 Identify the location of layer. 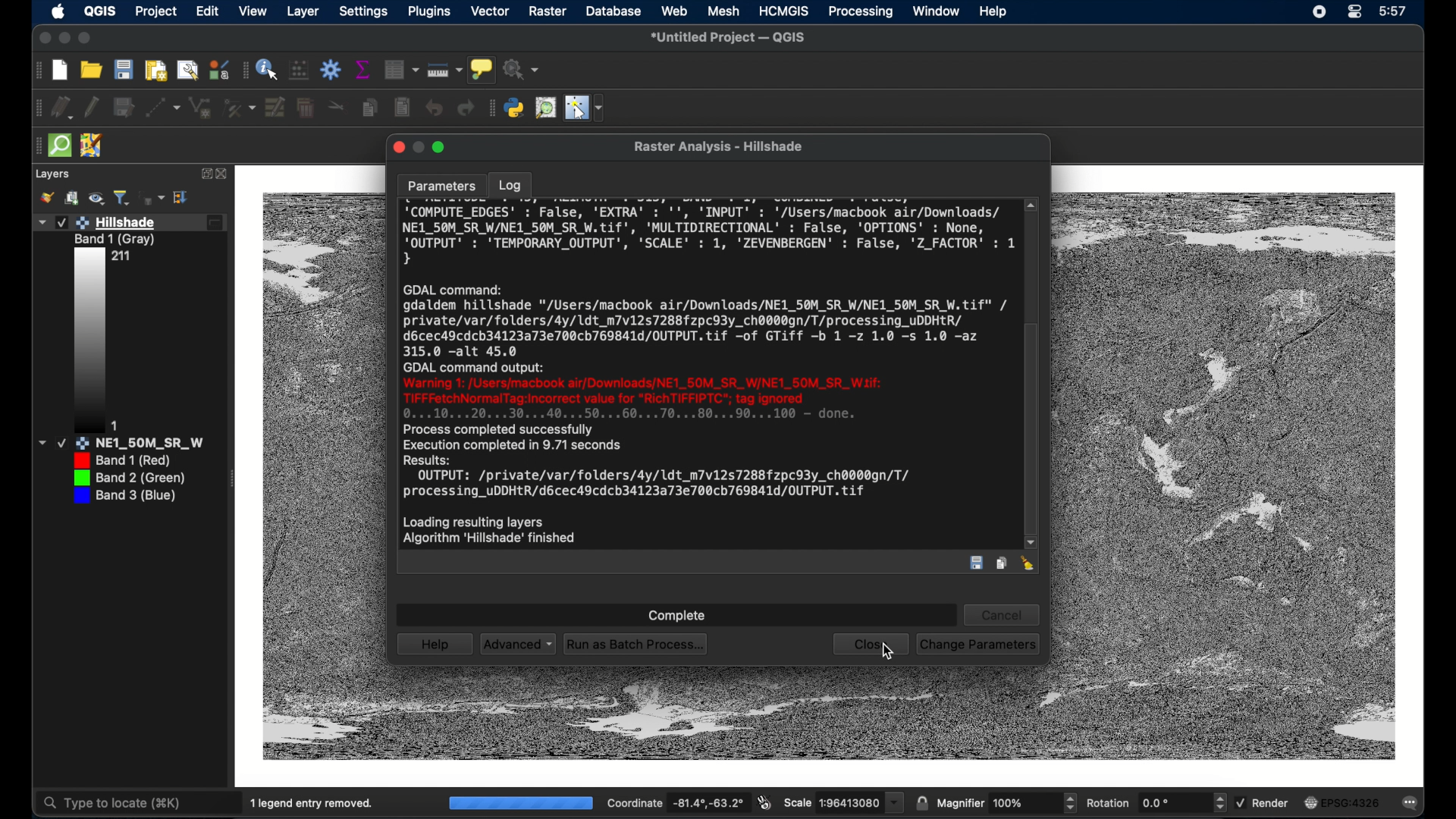
(303, 11).